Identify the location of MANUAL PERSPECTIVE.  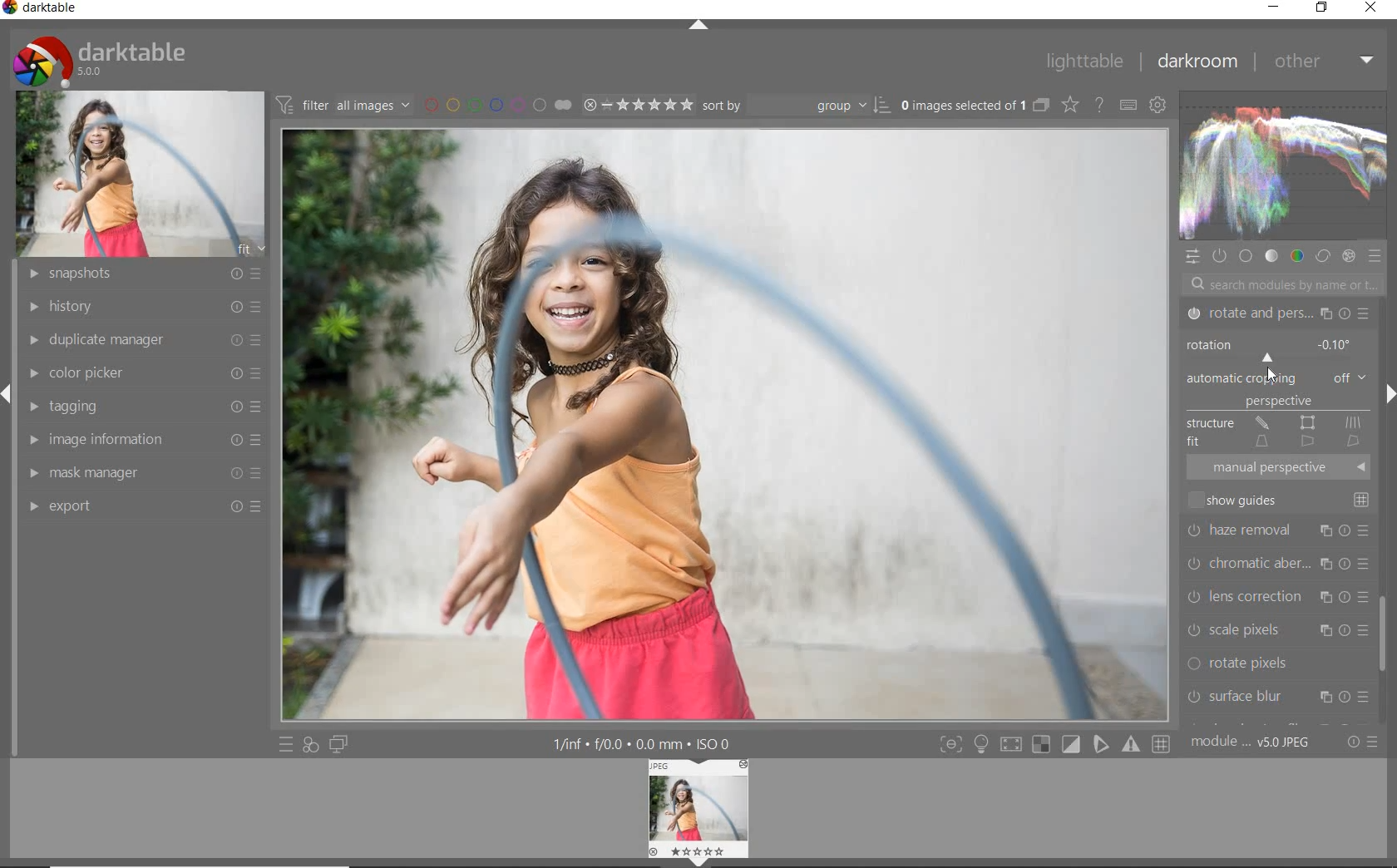
(1281, 466).